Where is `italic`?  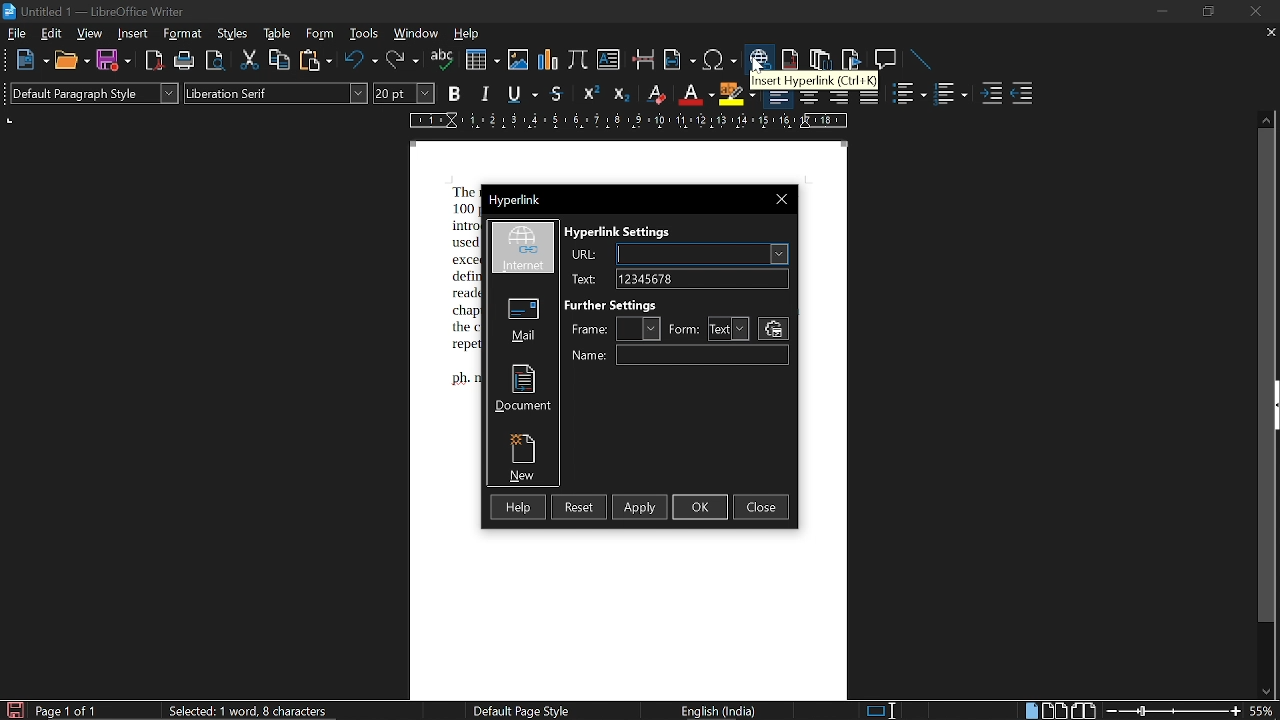
italic is located at coordinates (486, 94).